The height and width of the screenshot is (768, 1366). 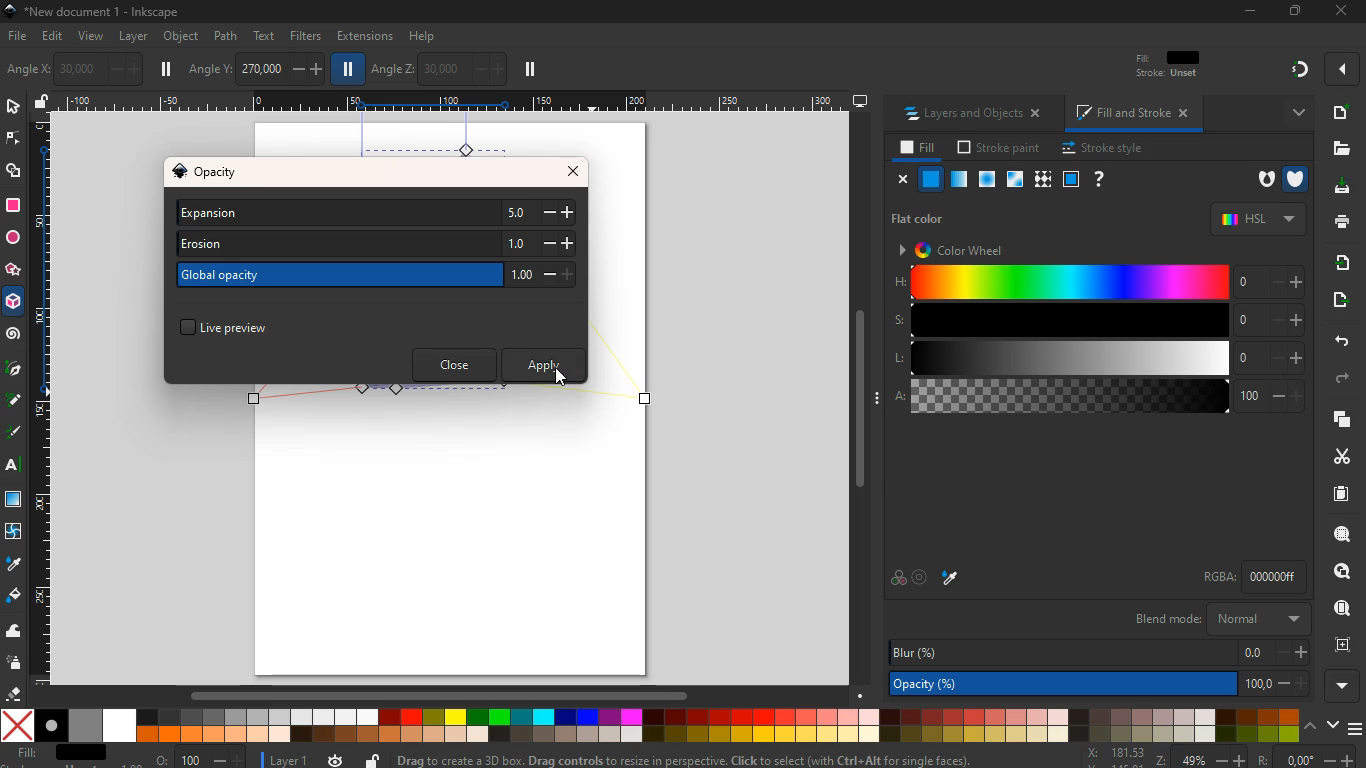 What do you see at coordinates (1250, 11) in the screenshot?
I see `minimize` at bounding box center [1250, 11].